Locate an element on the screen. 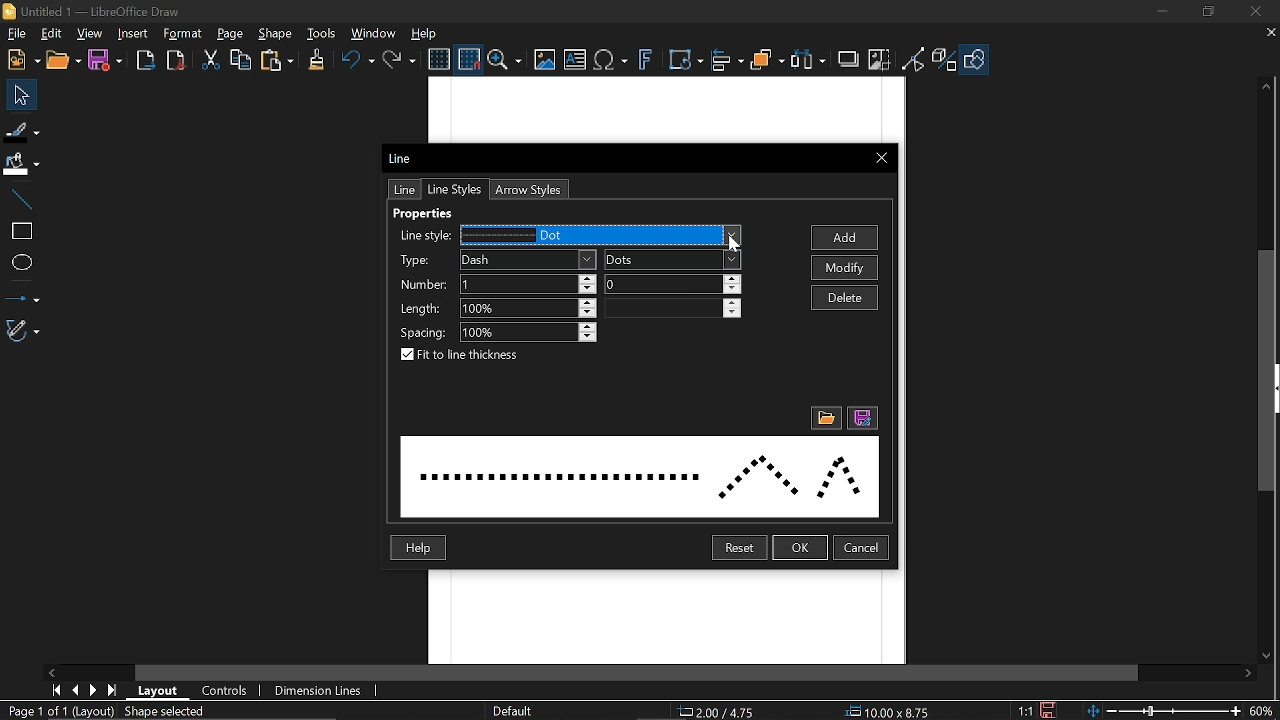  Line is located at coordinates (402, 190).